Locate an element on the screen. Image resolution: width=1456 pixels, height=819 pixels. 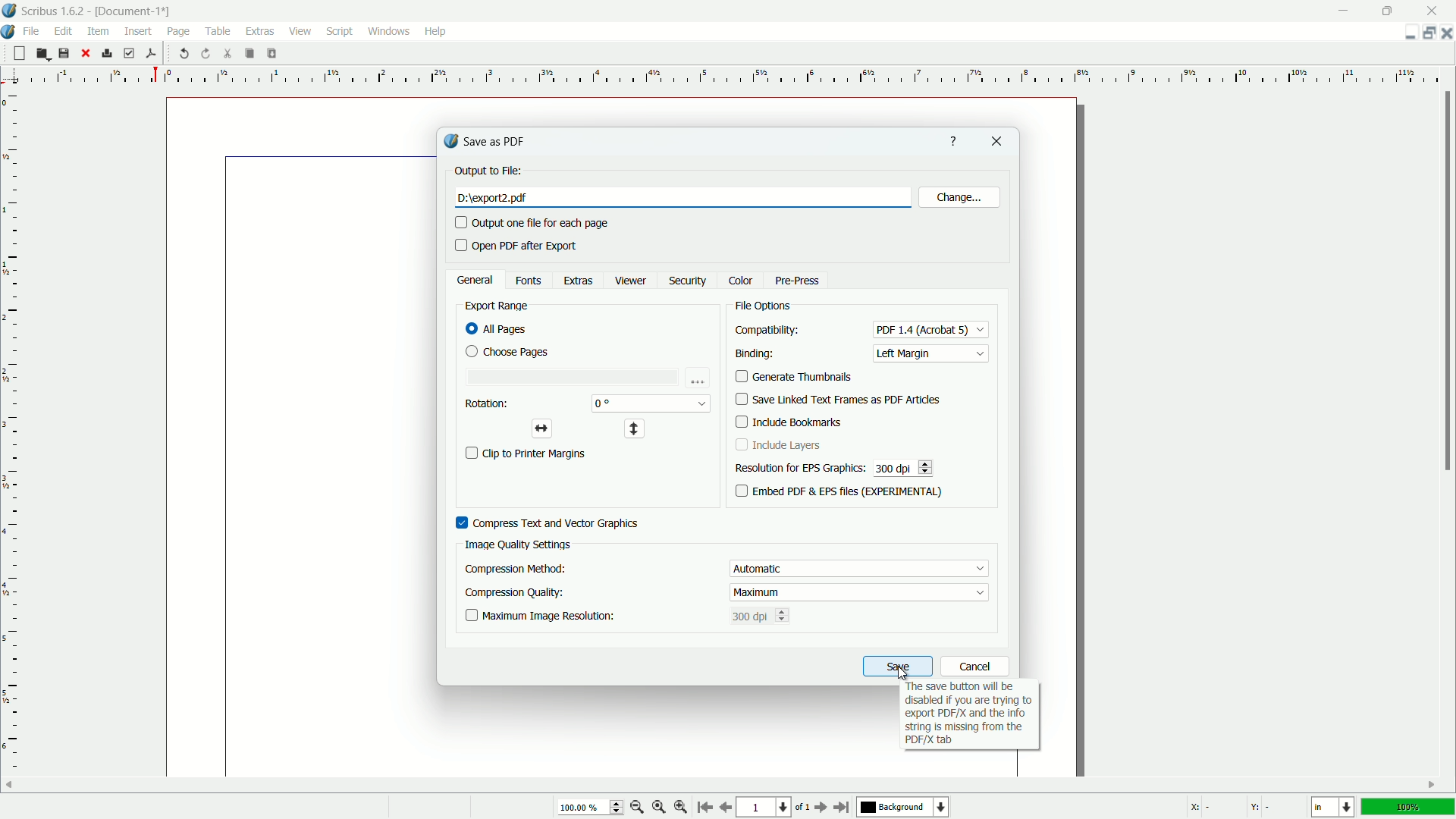
output file is located at coordinates (491, 172).